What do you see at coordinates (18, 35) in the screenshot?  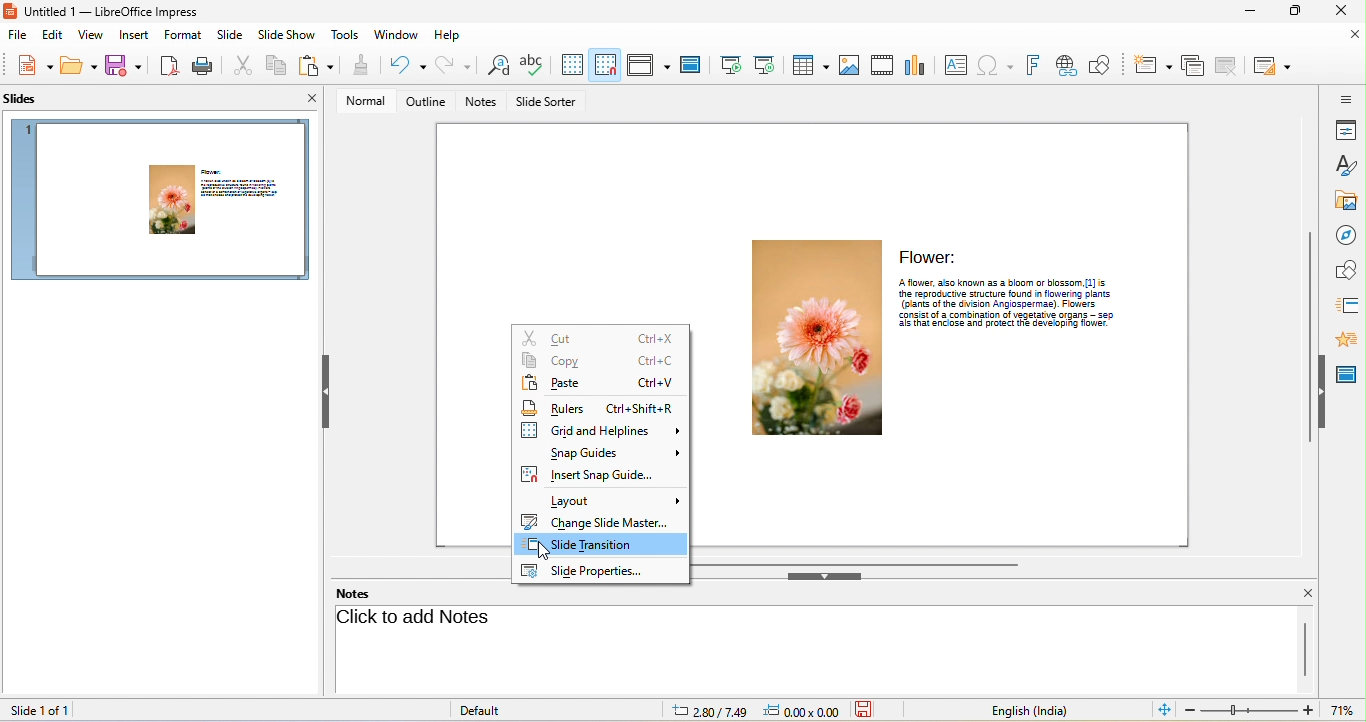 I see `file` at bounding box center [18, 35].